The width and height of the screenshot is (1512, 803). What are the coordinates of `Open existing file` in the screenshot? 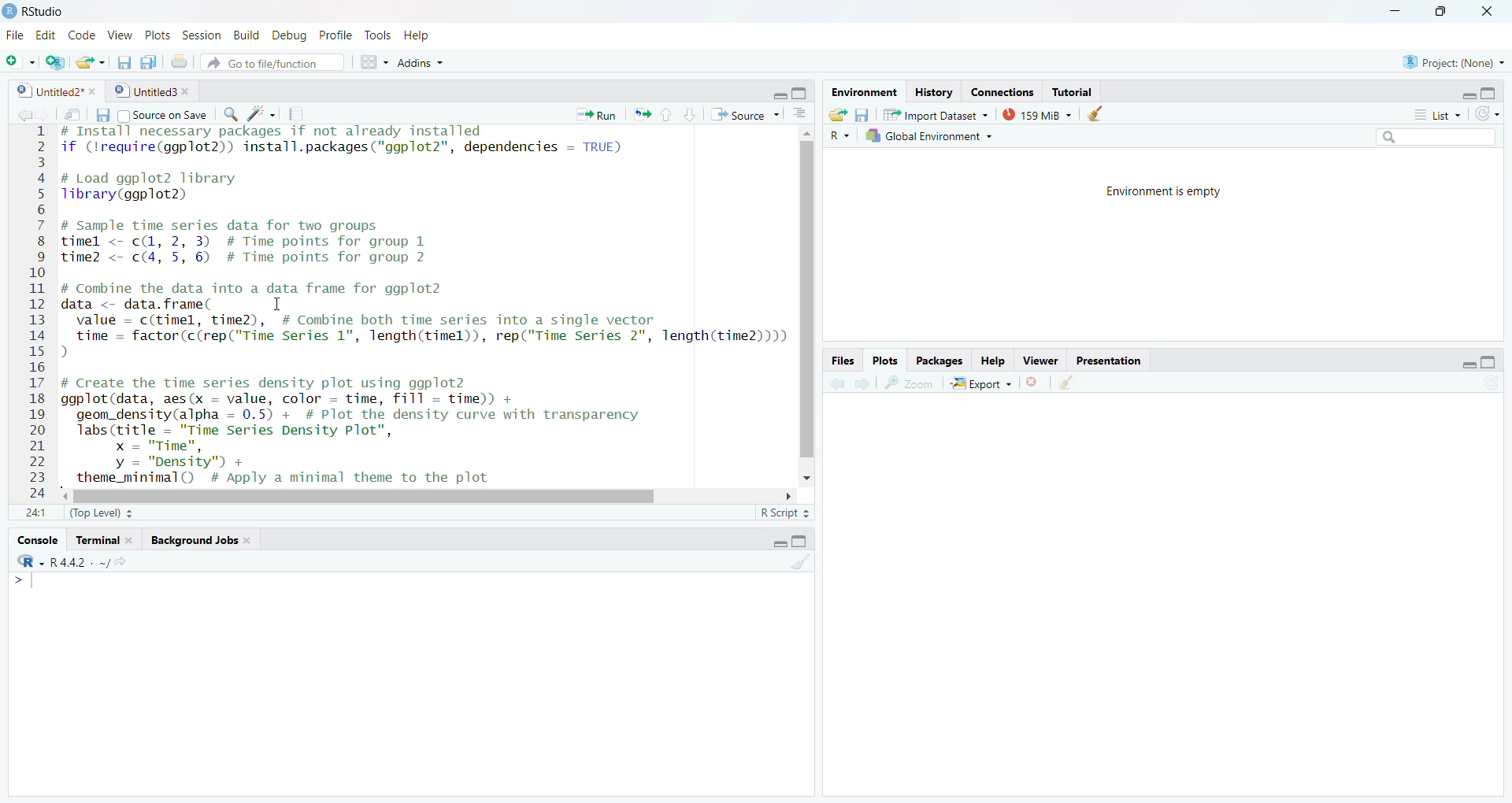 It's located at (91, 62).